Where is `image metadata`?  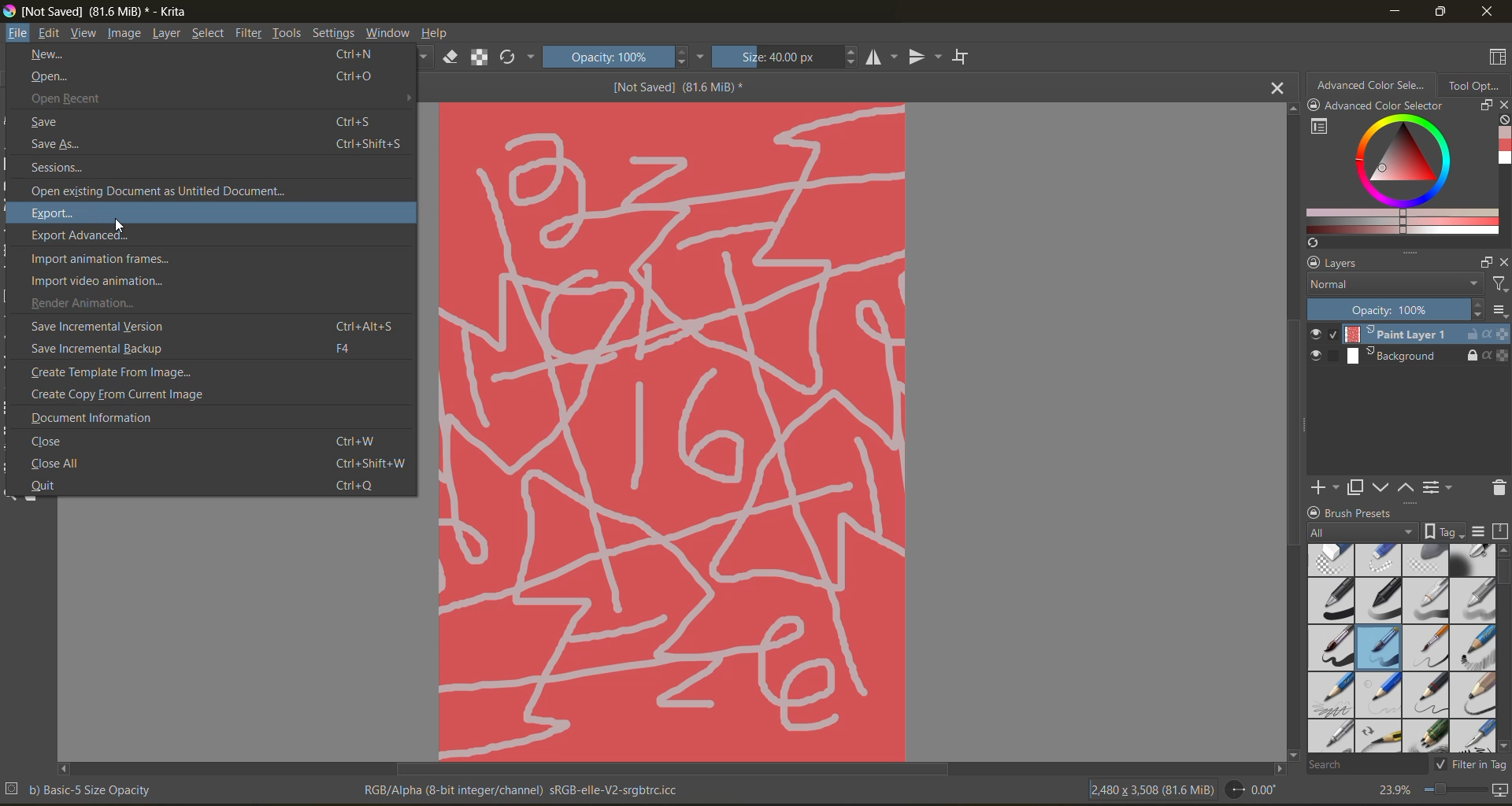 image metadata is located at coordinates (1151, 788).